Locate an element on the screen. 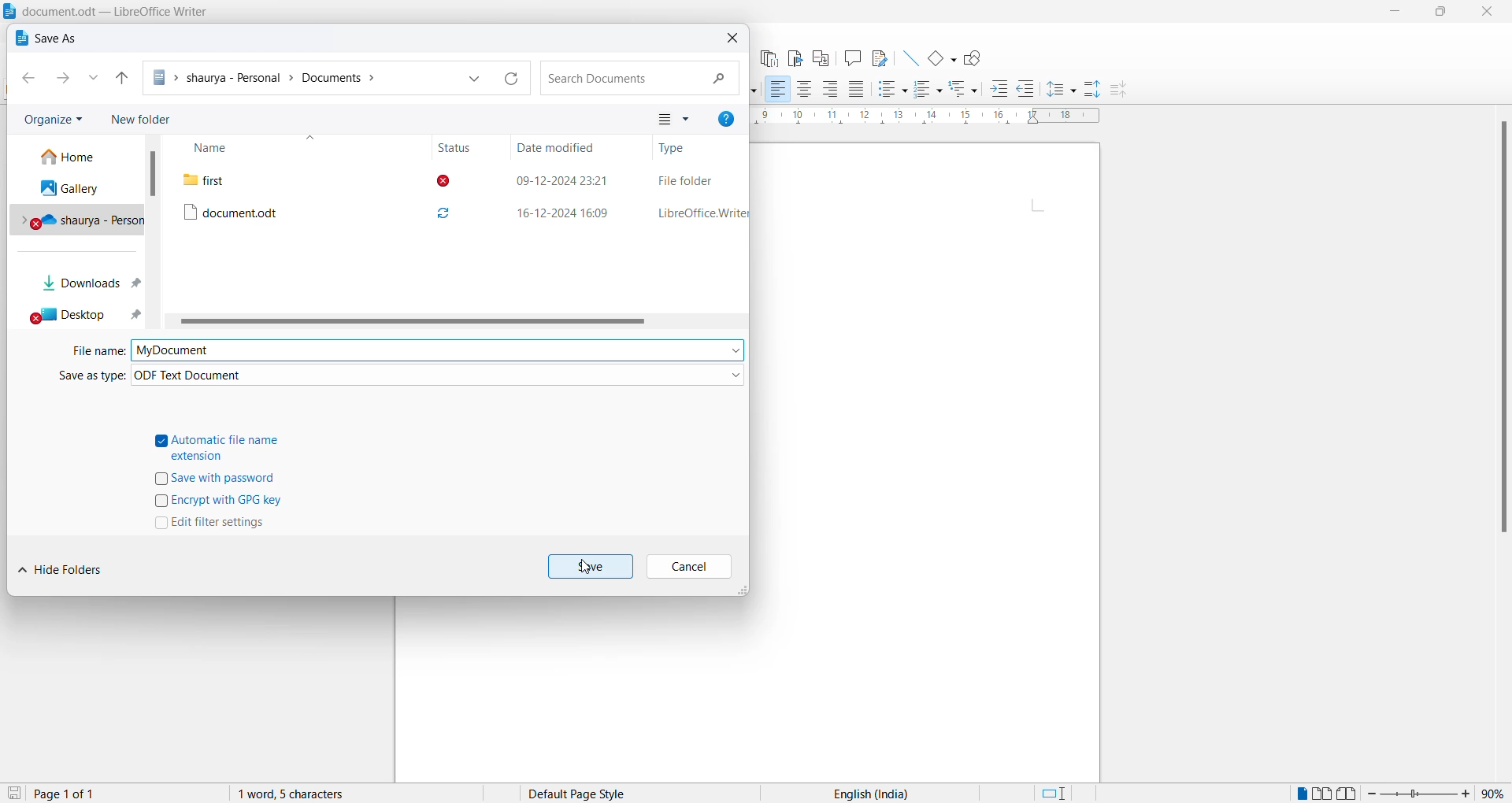  close is located at coordinates (1492, 13).